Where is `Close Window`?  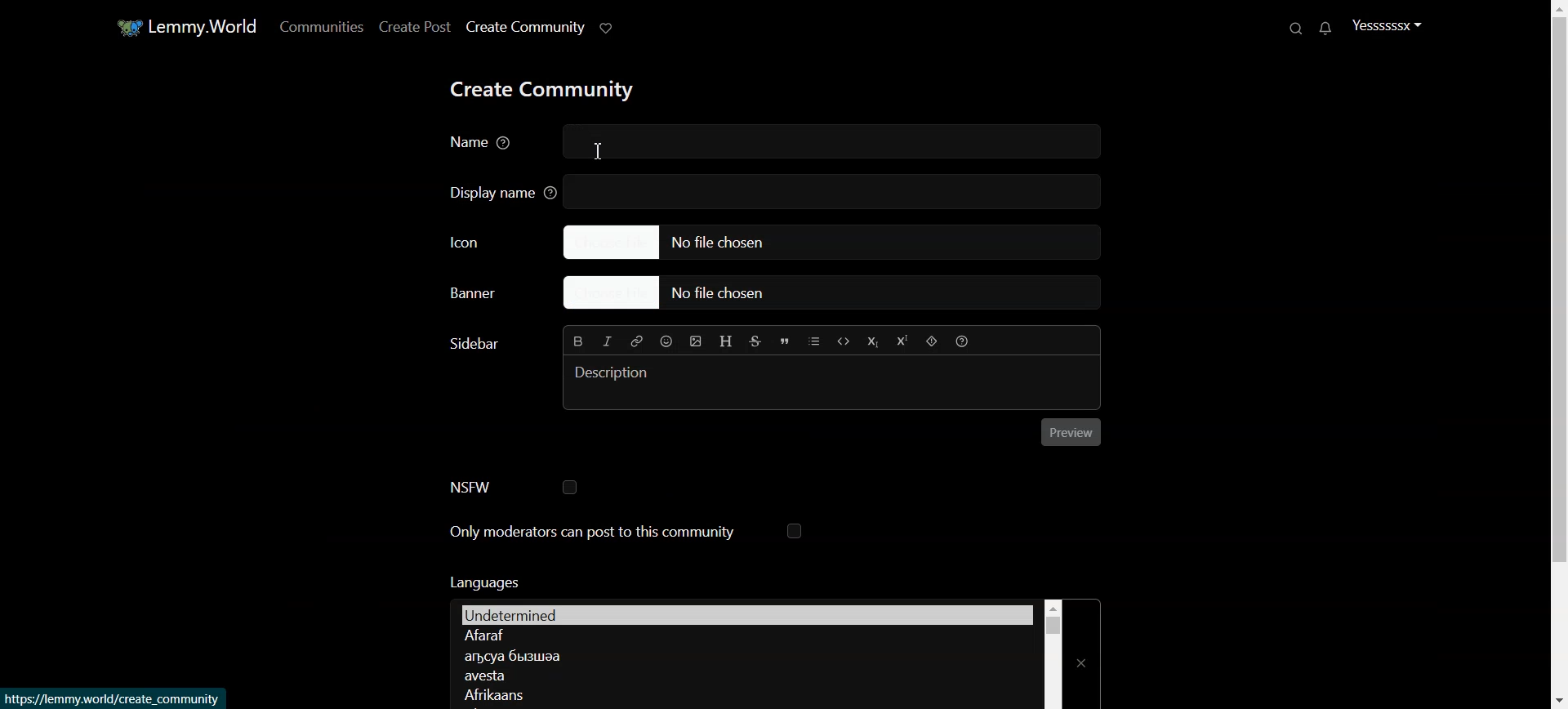
Close Window is located at coordinates (1083, 653).